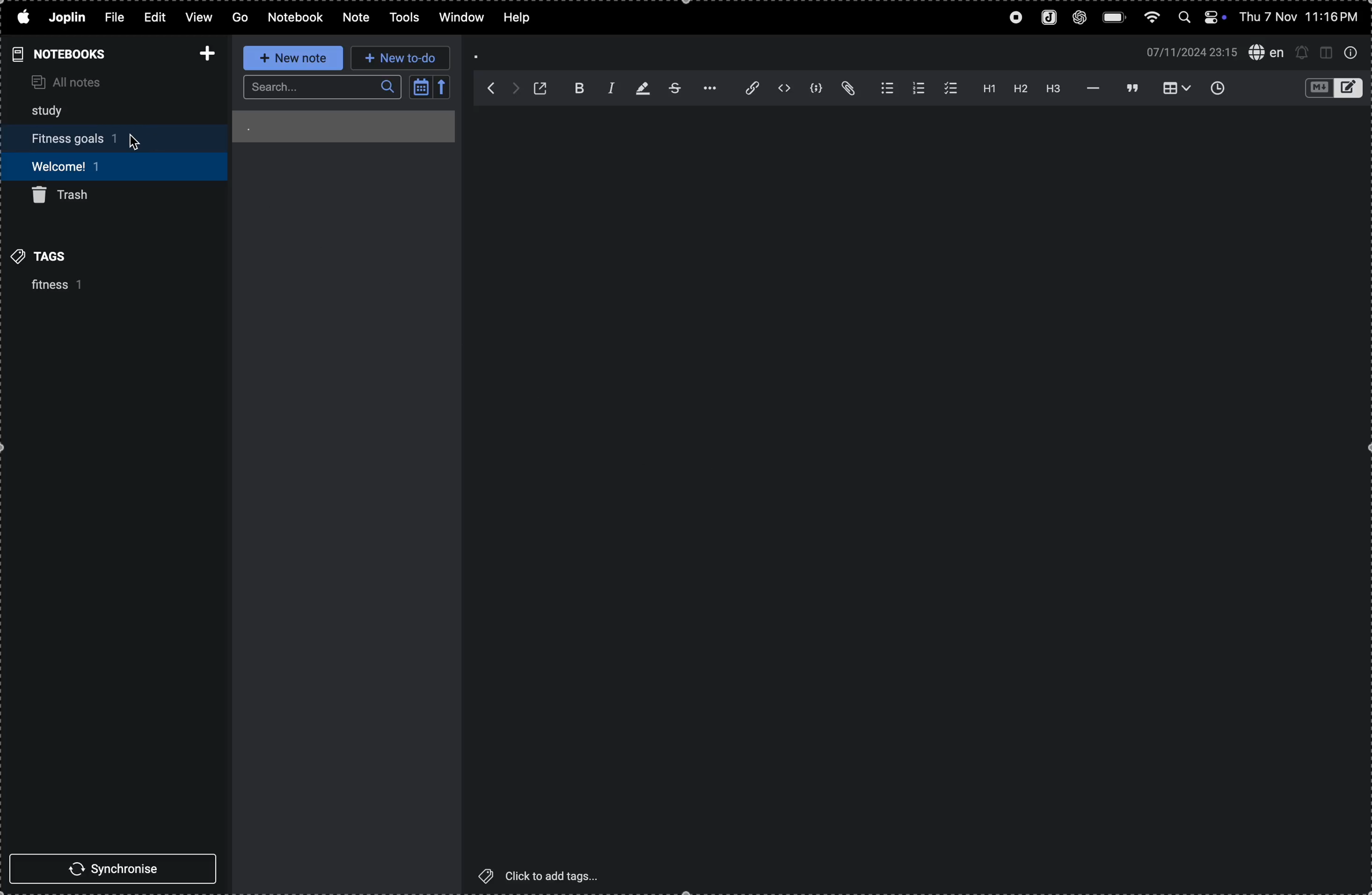 This screenshot has height=895, width=1372. Describe the element at coordinates (355, 18) in the screenshot. I see `note` at that location.